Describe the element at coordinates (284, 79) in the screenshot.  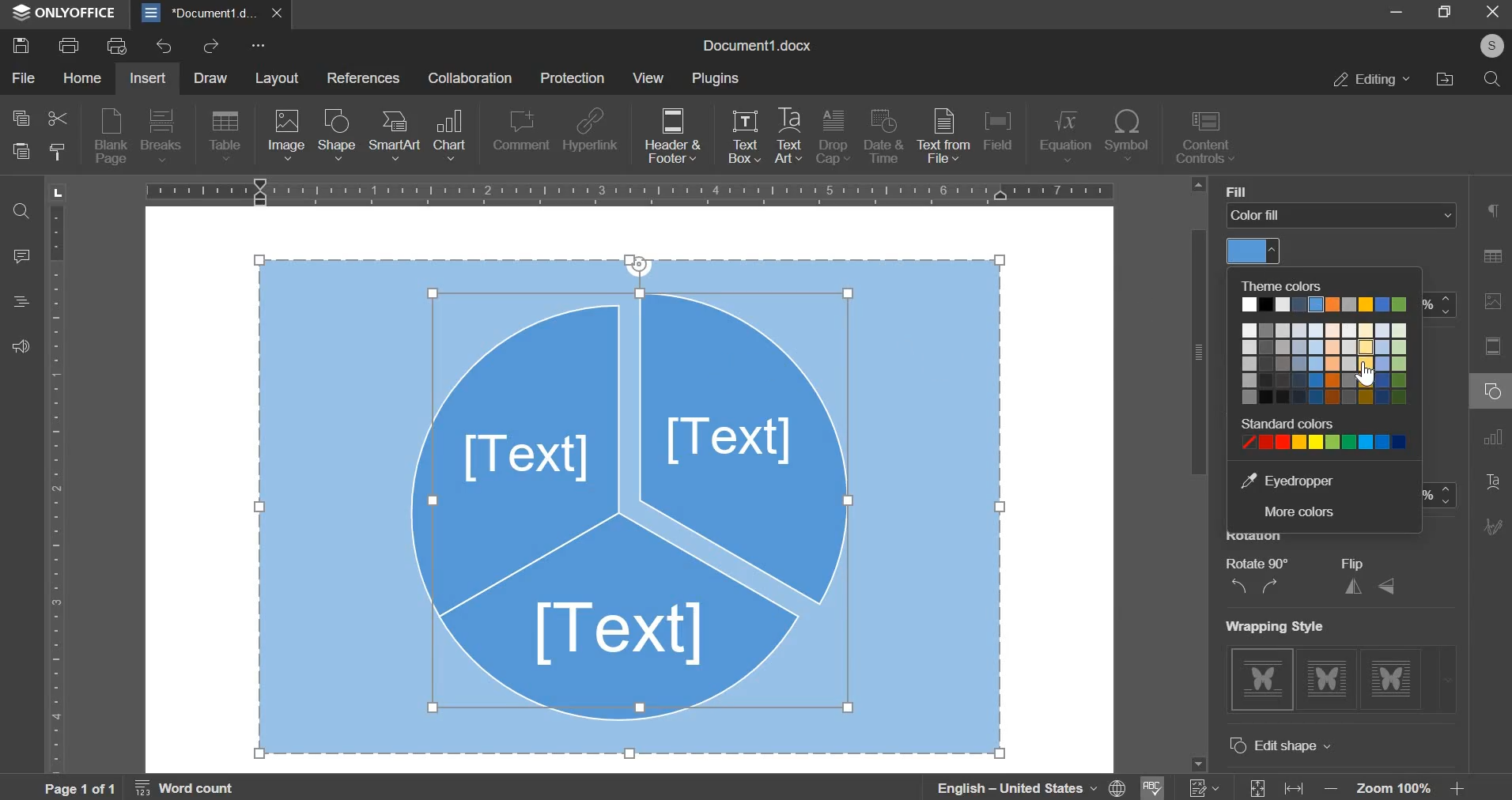
I see `layout` at that location.